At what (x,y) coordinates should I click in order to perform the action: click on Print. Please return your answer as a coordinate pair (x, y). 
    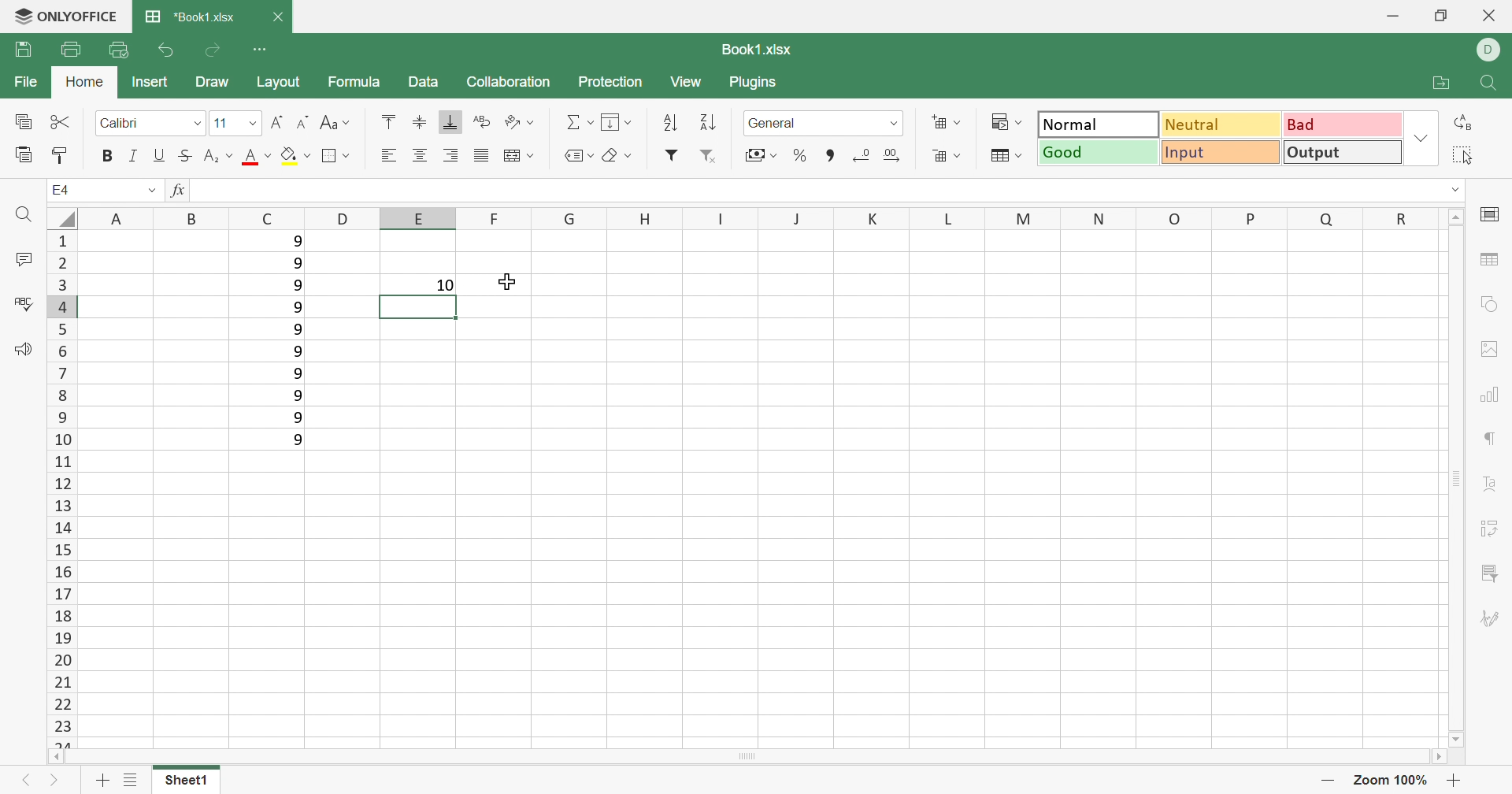
    Looking at the image, I should click on (69, 49).